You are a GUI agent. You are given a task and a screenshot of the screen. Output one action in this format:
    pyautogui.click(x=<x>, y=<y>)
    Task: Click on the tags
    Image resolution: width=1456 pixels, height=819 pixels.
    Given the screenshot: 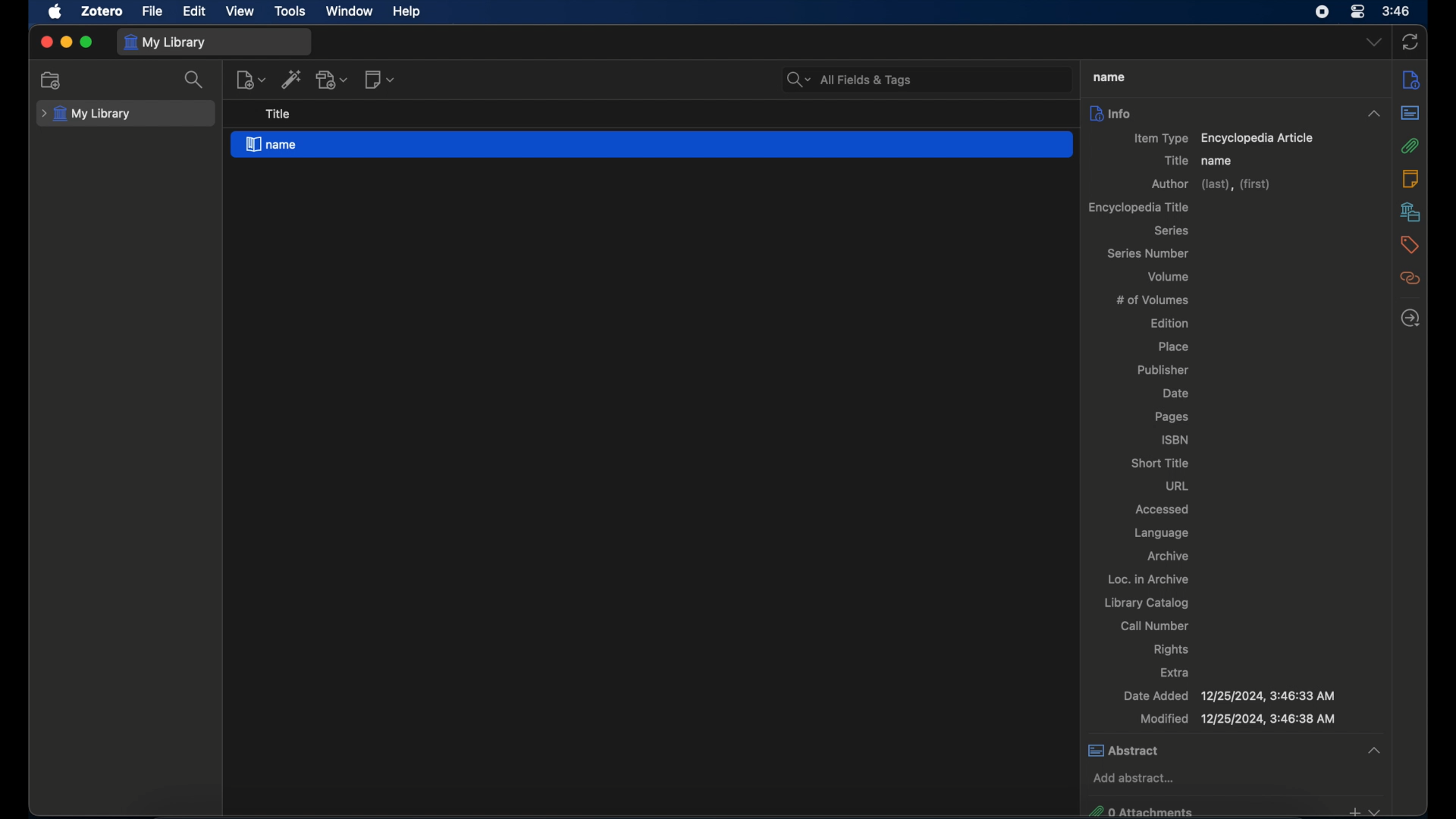 What is the action you would take?
    pyautogui.click(x=1410, y=245)
    